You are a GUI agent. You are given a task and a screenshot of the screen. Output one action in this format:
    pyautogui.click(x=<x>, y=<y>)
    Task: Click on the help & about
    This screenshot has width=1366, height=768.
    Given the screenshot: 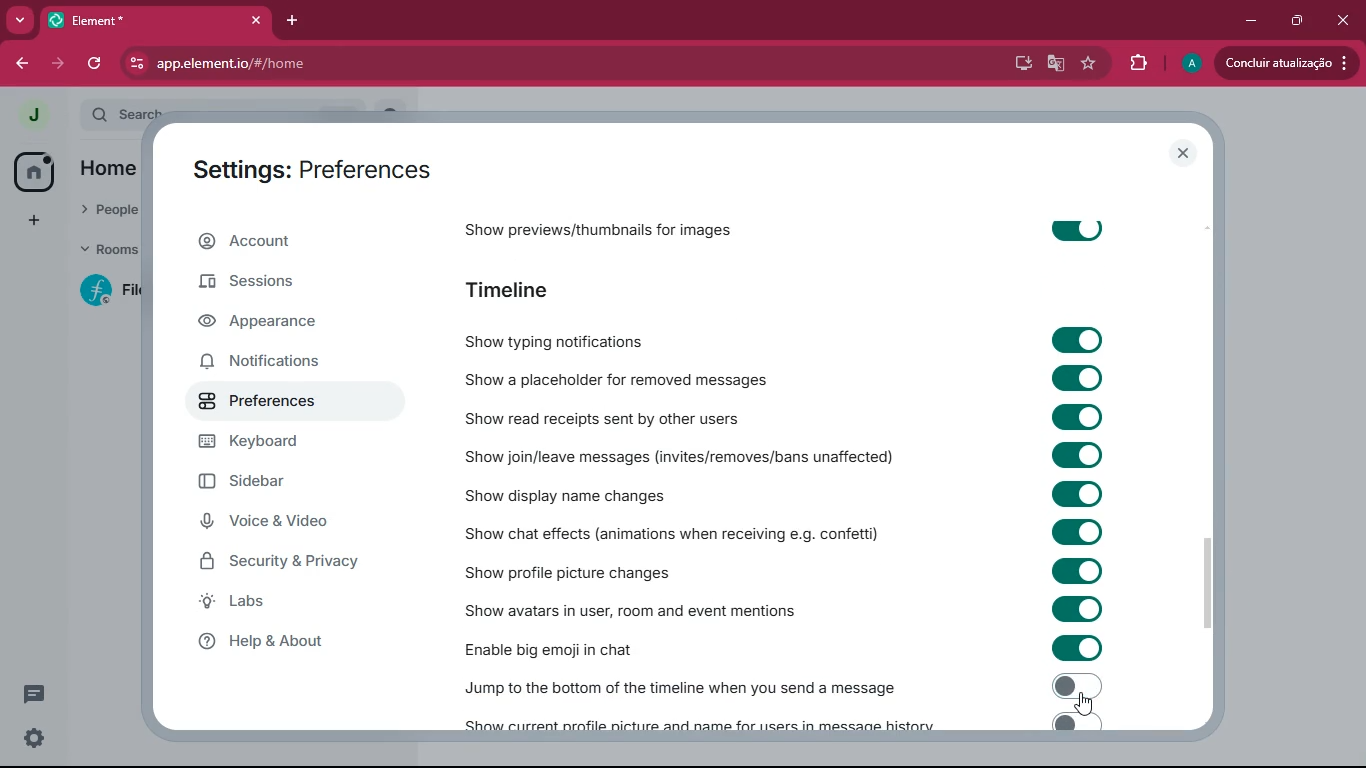 What is the action you would take?
    pyautogui.click(x=298, y=641)
    